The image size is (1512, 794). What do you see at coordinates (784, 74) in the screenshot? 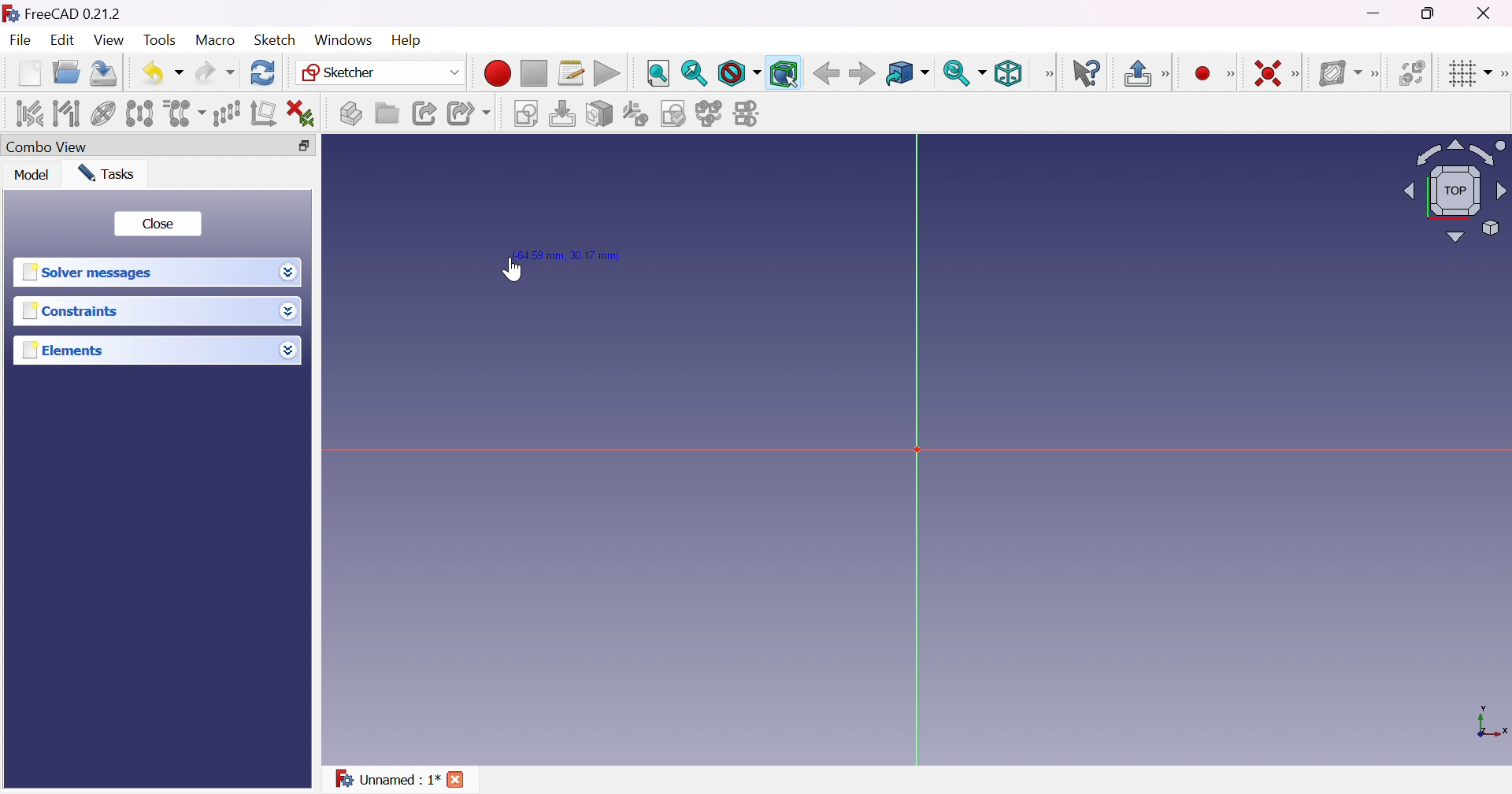
I see `Bounding box` at bounding box center [784, 74].